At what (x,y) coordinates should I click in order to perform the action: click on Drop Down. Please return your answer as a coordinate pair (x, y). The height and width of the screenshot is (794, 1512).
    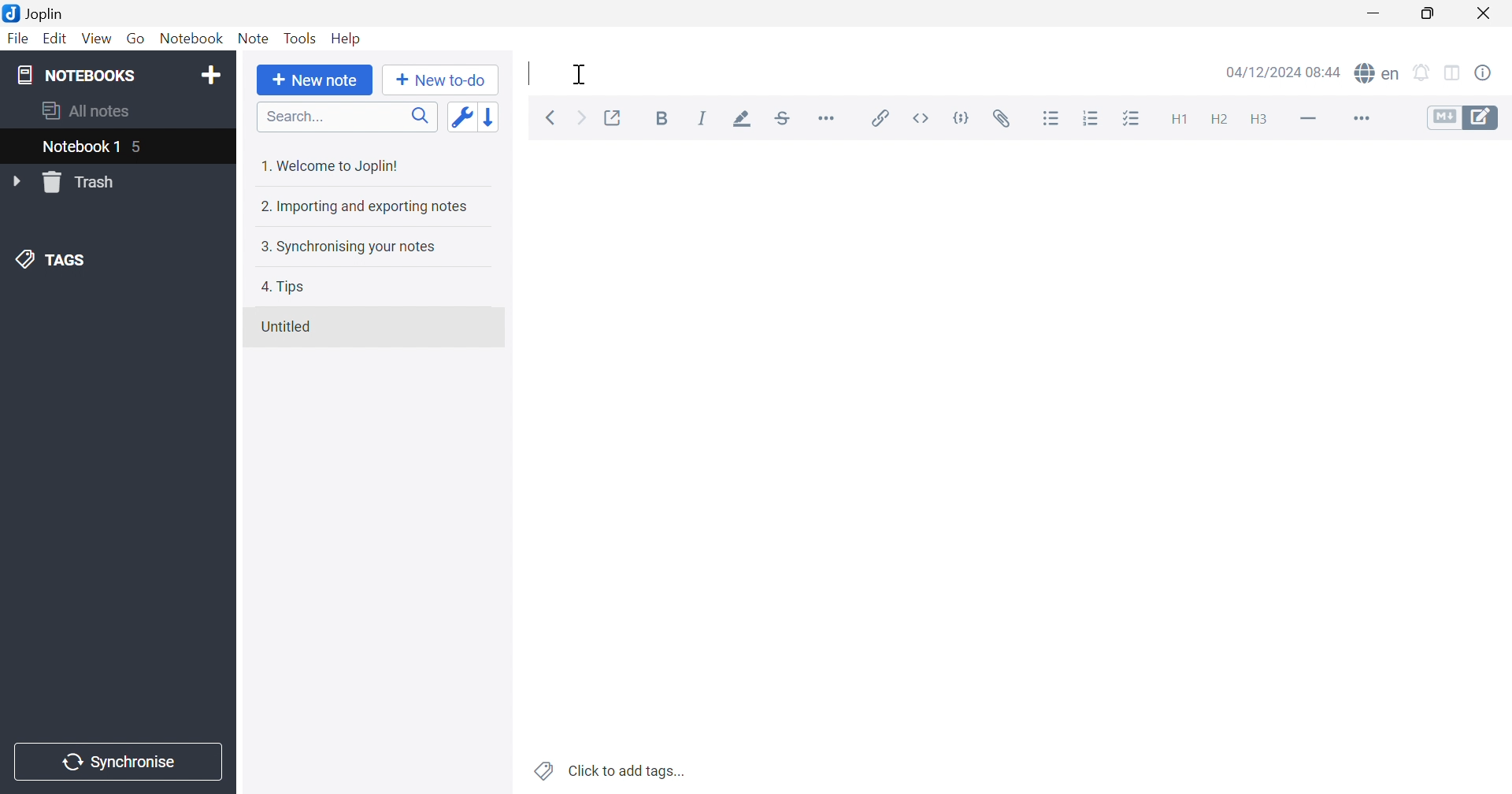
    Looking at the image, I should click on (17, 182).